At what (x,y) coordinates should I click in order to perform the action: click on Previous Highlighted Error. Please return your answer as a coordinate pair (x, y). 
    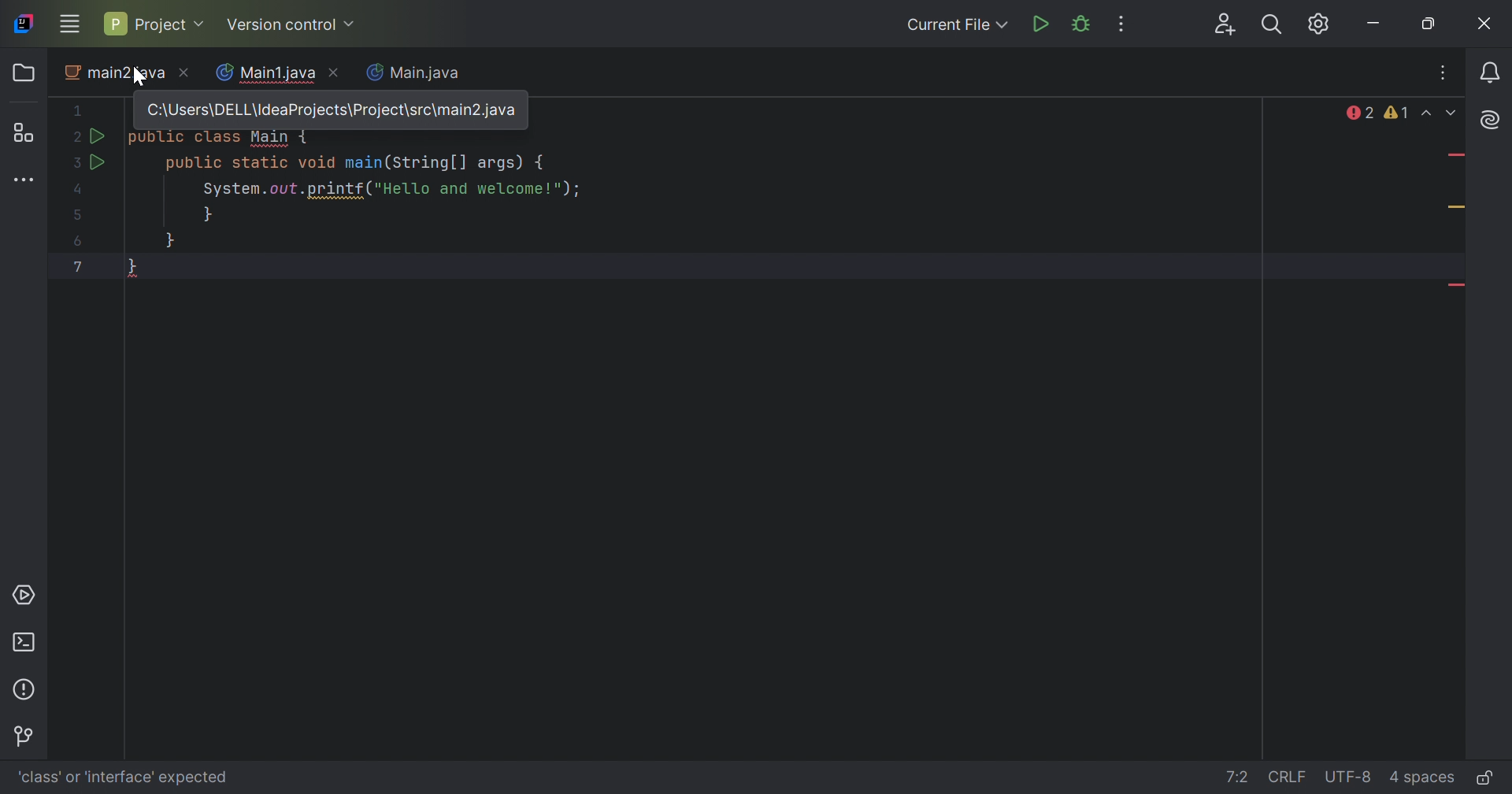
    Looking at the image, I should click on (1428, 113).